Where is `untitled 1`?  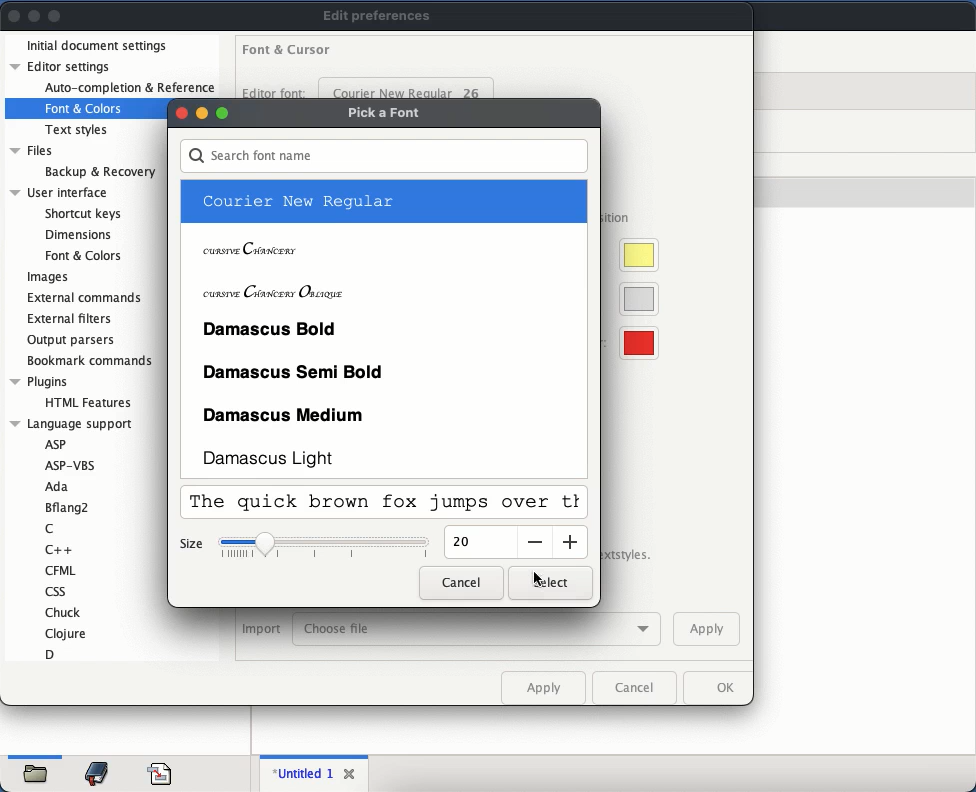 untitled 1 is located at coordinates (305, 773).